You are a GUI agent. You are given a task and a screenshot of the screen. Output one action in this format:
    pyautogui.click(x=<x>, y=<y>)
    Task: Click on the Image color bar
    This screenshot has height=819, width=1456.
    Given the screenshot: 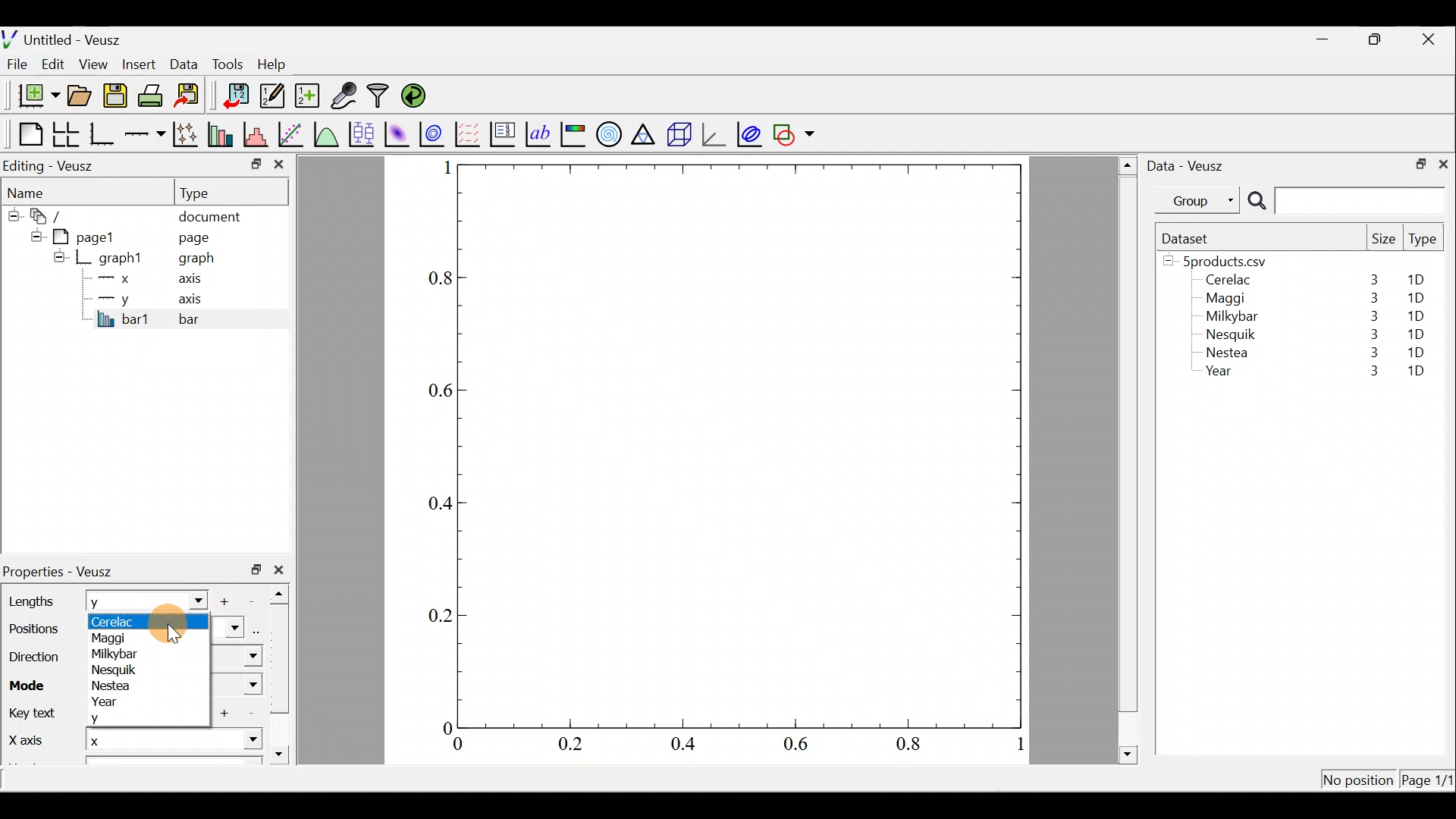 What is the action you would take?
    pyautogui.click(x=574, y=133)
    